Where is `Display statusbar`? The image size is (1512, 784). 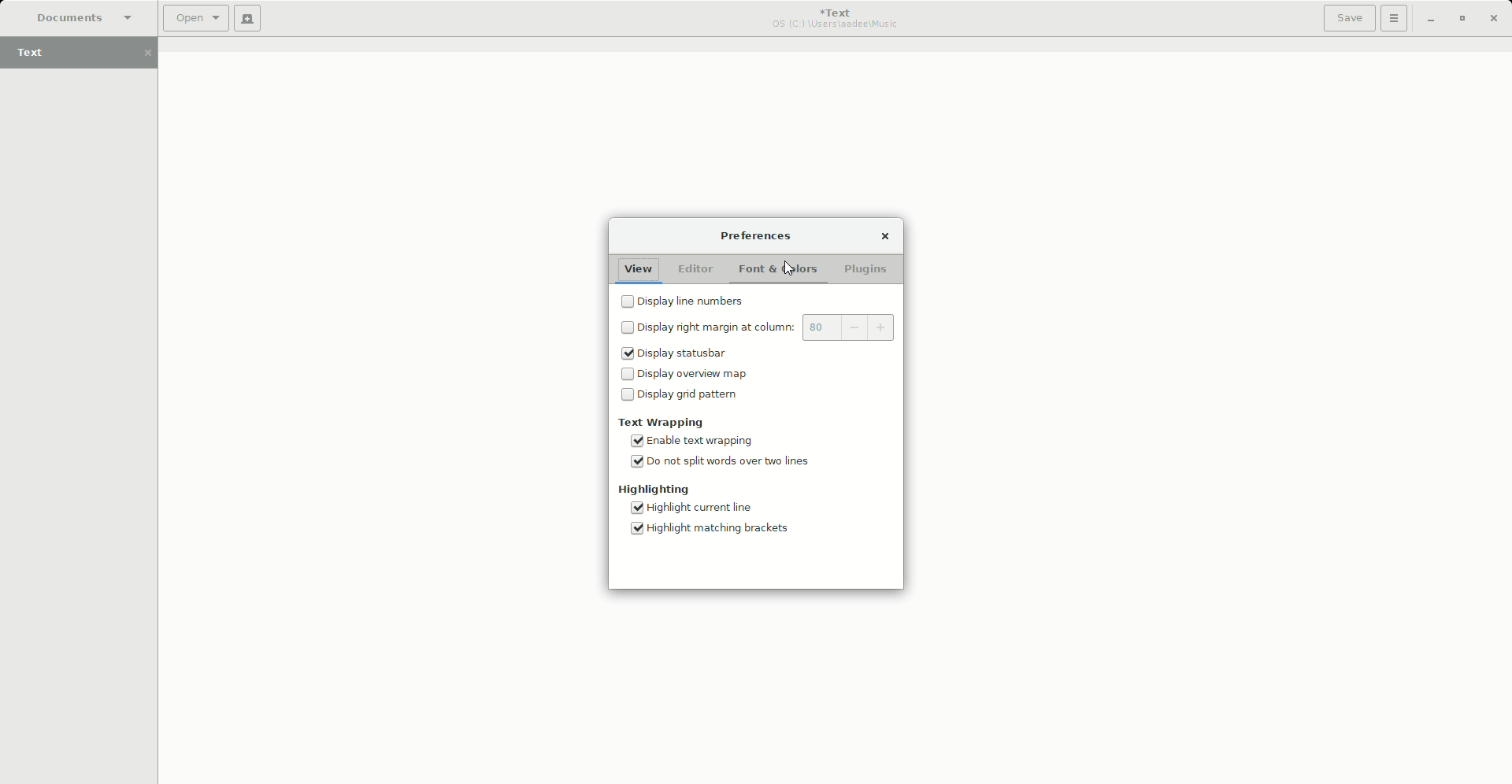 Display statusbar is located at coordinates (677, 350).